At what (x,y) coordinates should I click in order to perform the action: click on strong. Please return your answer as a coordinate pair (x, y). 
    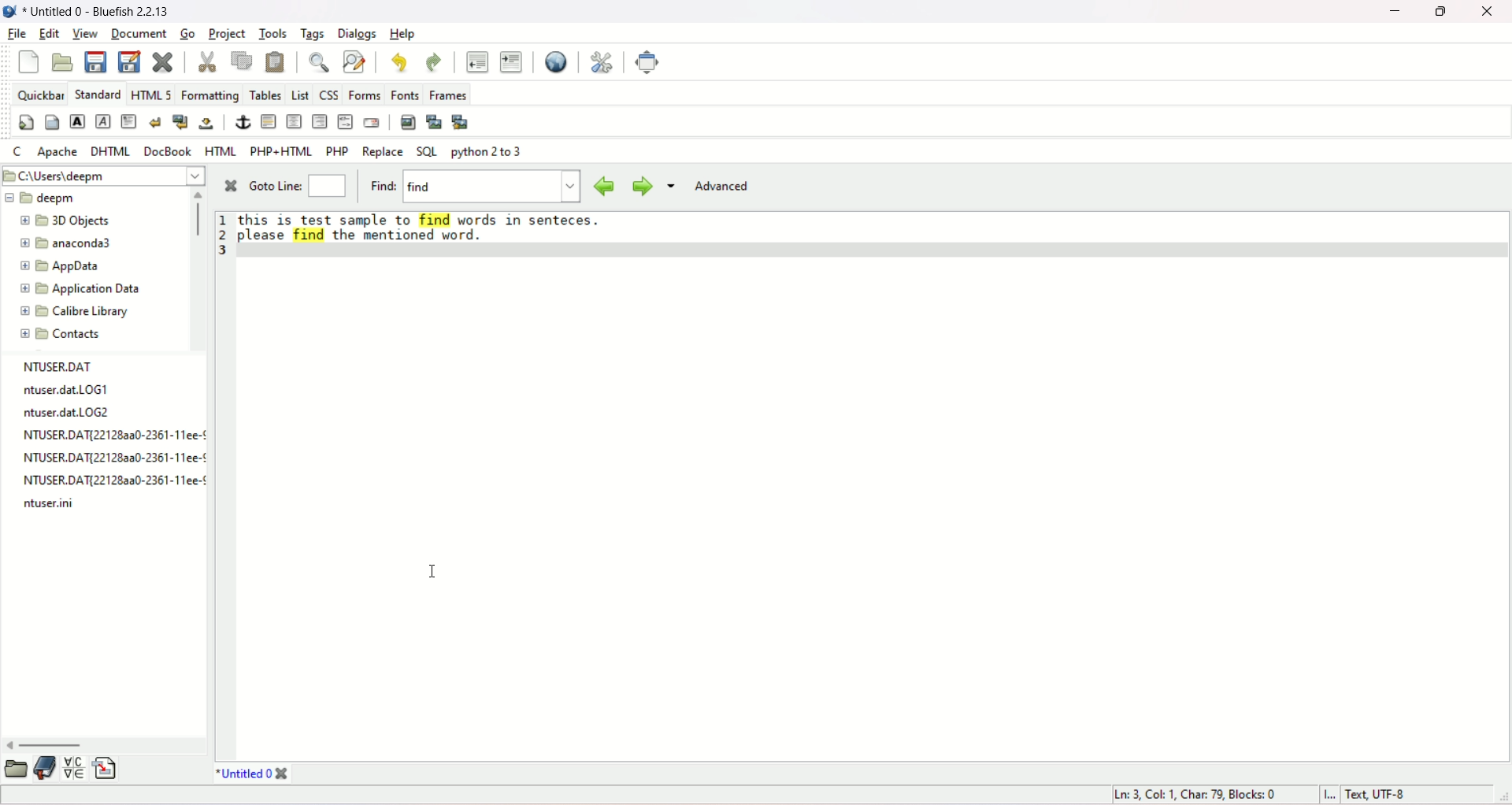
    Looking at the image, I should click on (76, 122).